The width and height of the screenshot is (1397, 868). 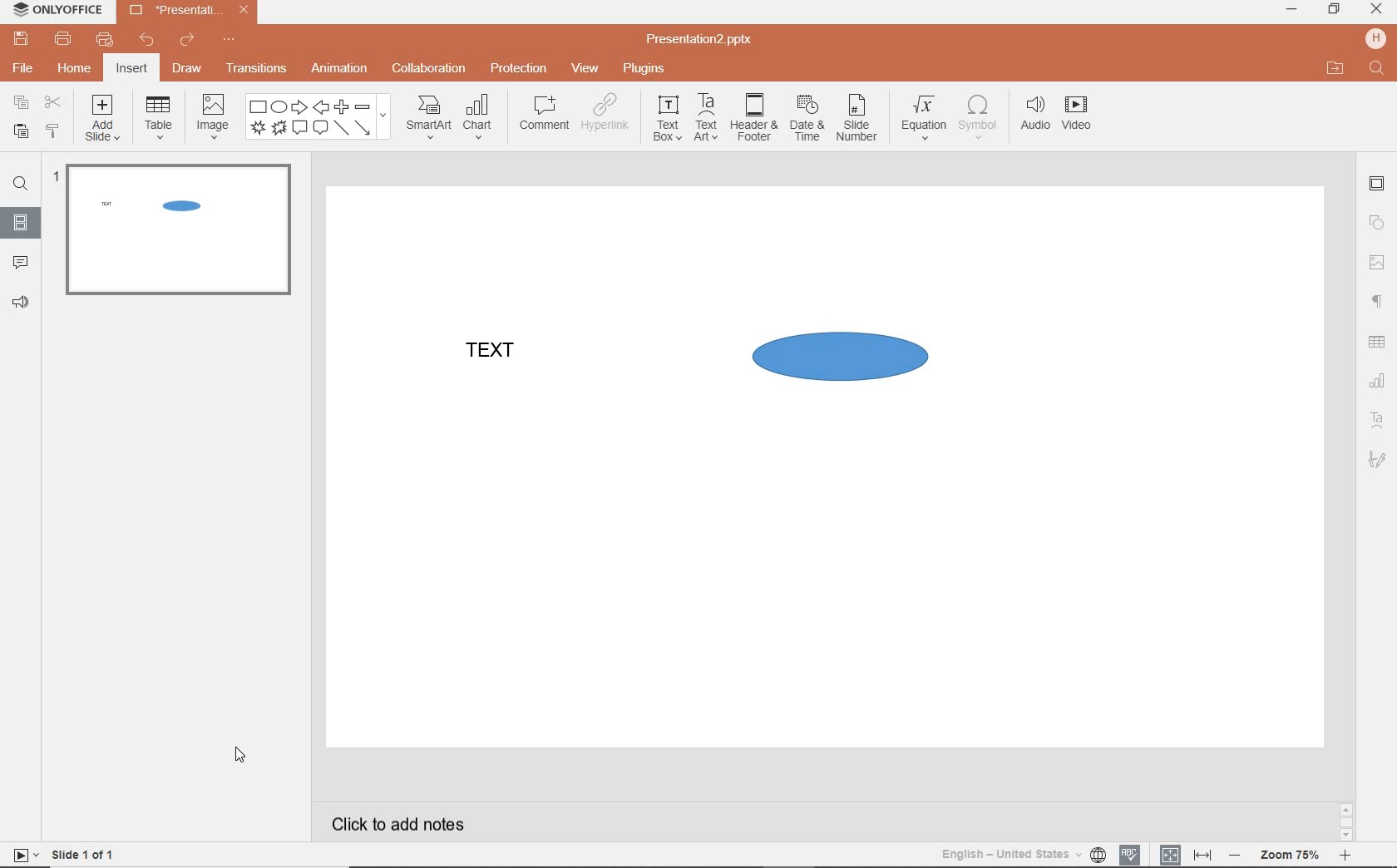 What do you see at coordinates (1379, 70) in the screenshot?
I see `FIND` at bounding box center [1379, 70].